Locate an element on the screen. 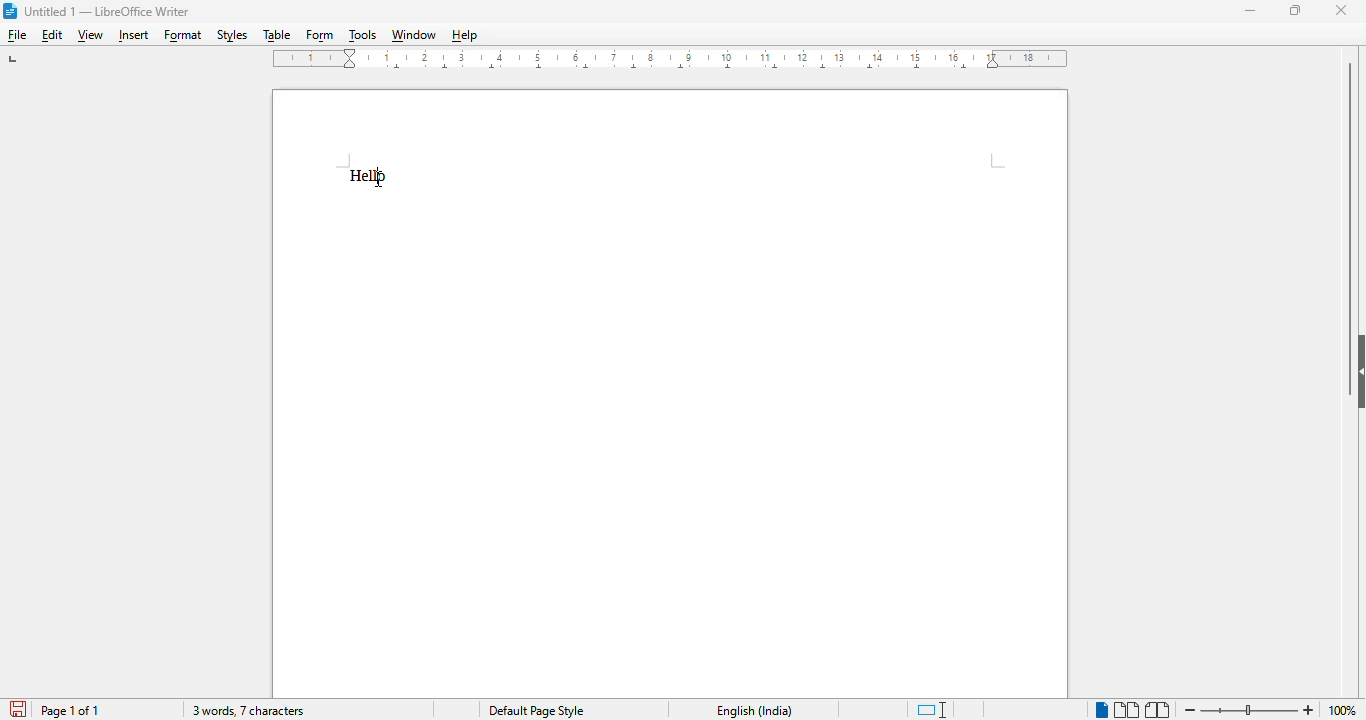 The image size is (1366, 720). zoom is located at coordinates (1249, 709).